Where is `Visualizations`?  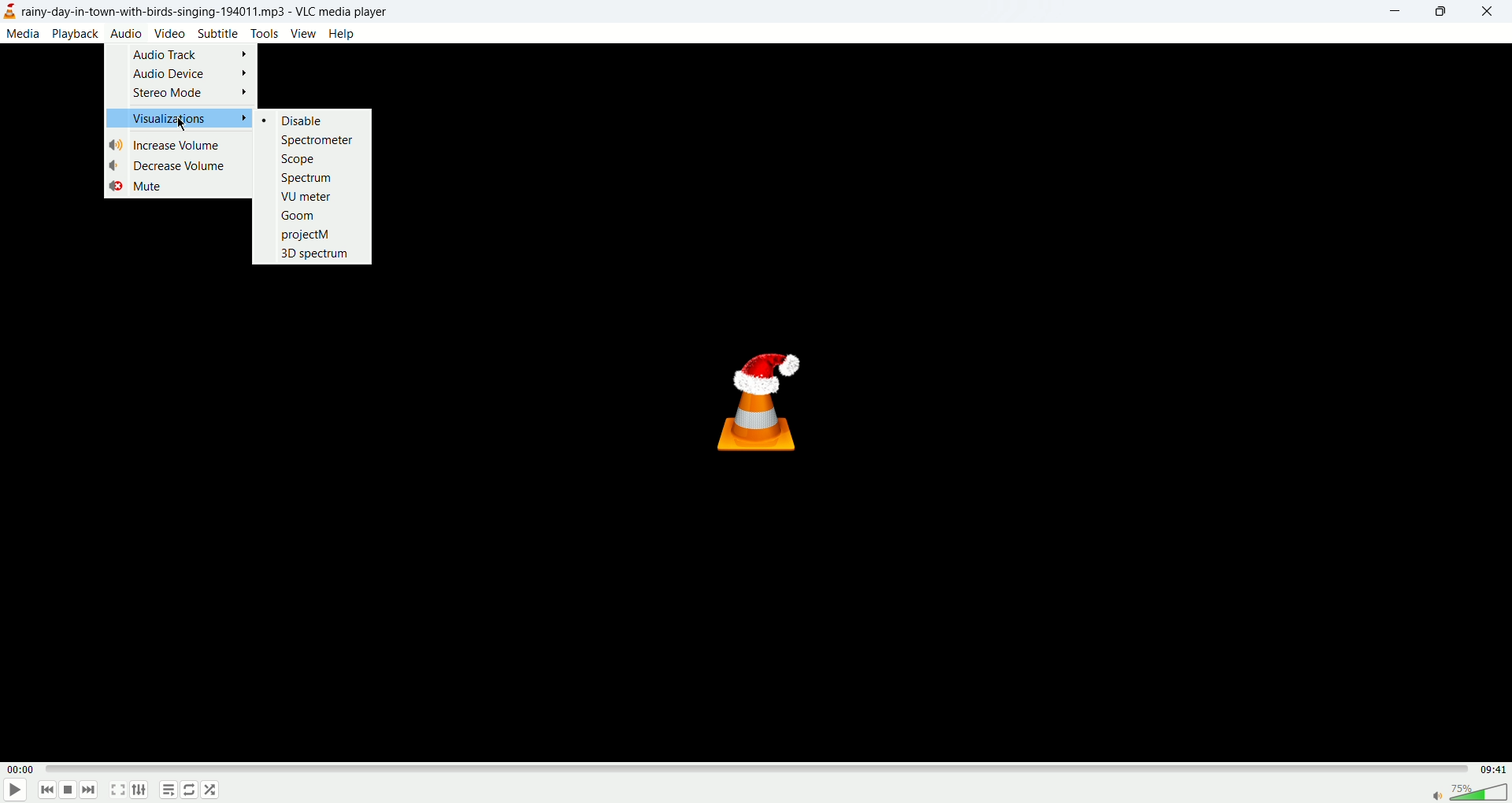 Visualizations is located at coordinates (185, 120).